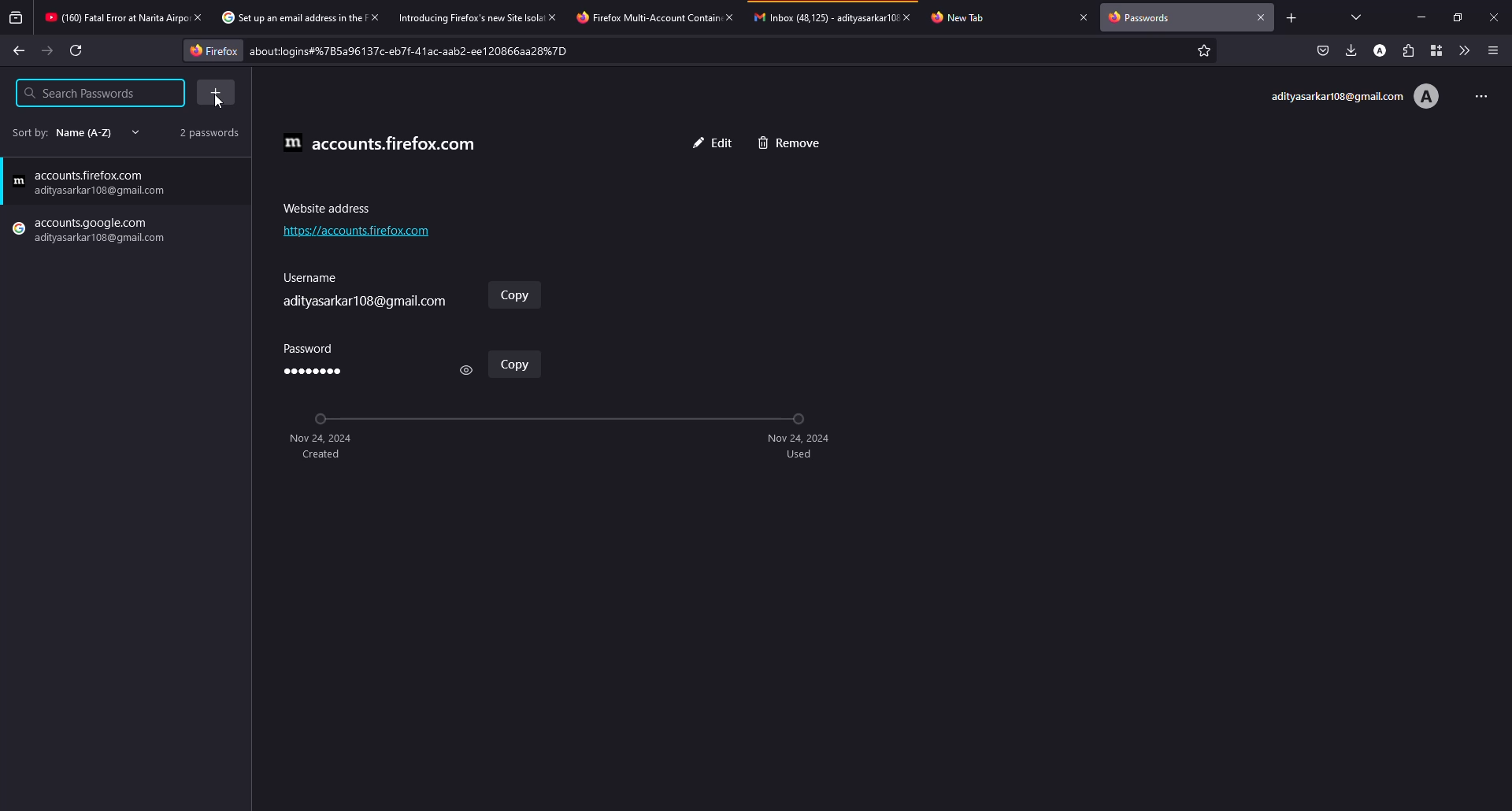 The height and width of the screenshot is (811, 1512). I want to click on accounts, so click(379, 143).